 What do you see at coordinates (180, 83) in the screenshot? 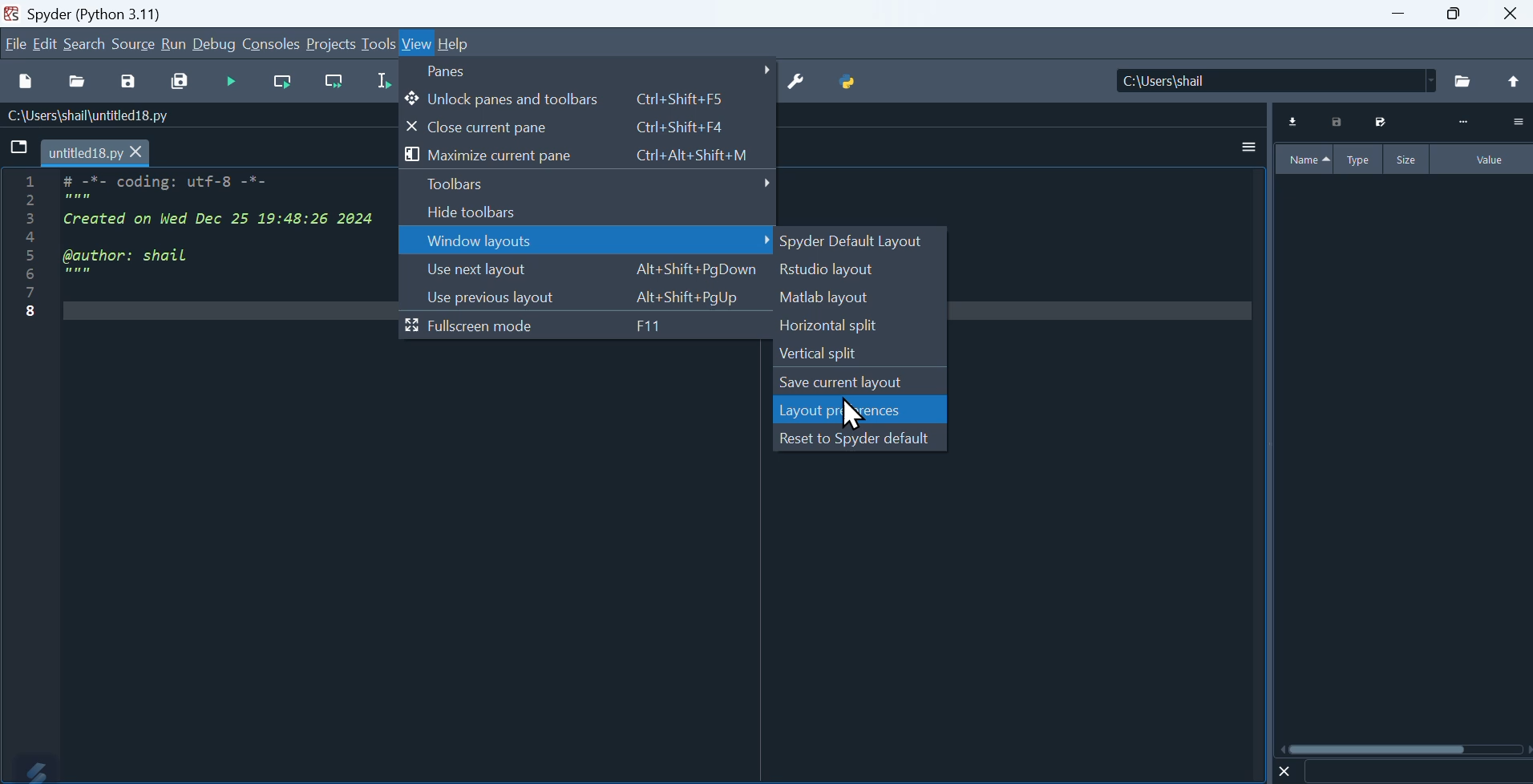
I see `Save all` at bounding box center [180, 83].